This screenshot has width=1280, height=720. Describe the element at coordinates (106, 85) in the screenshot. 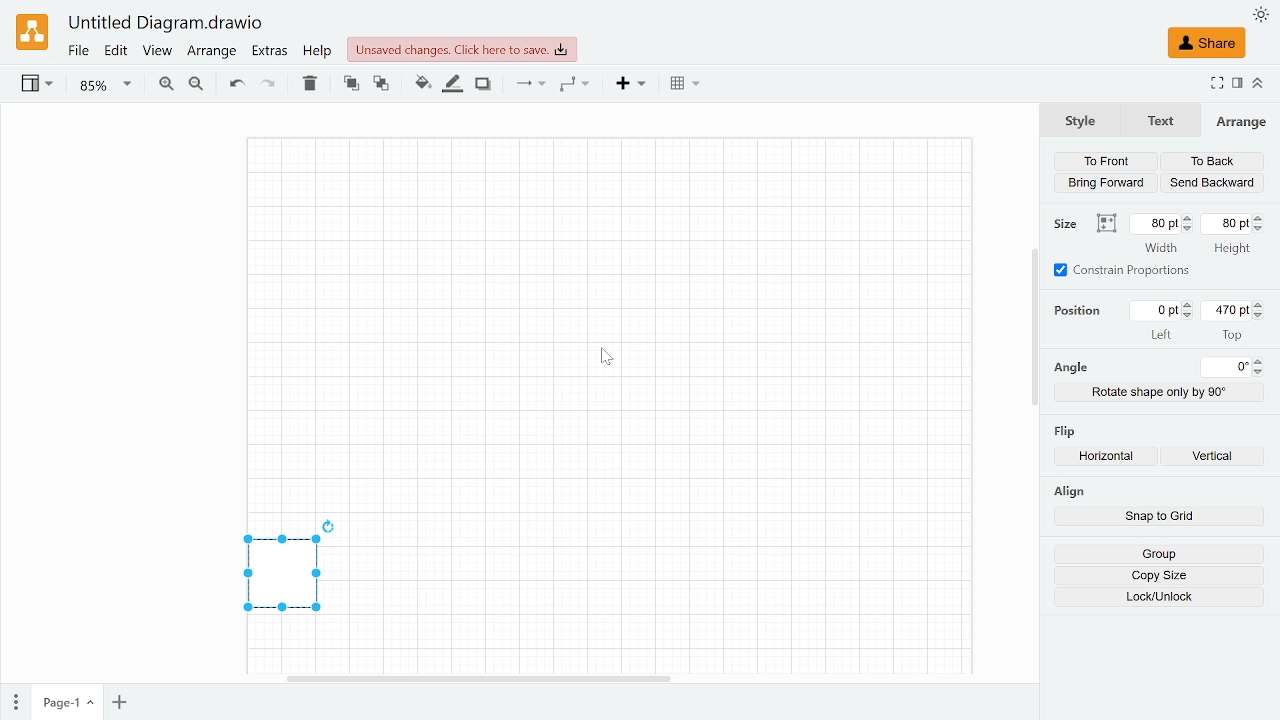

I see `Current zoom` at that location.